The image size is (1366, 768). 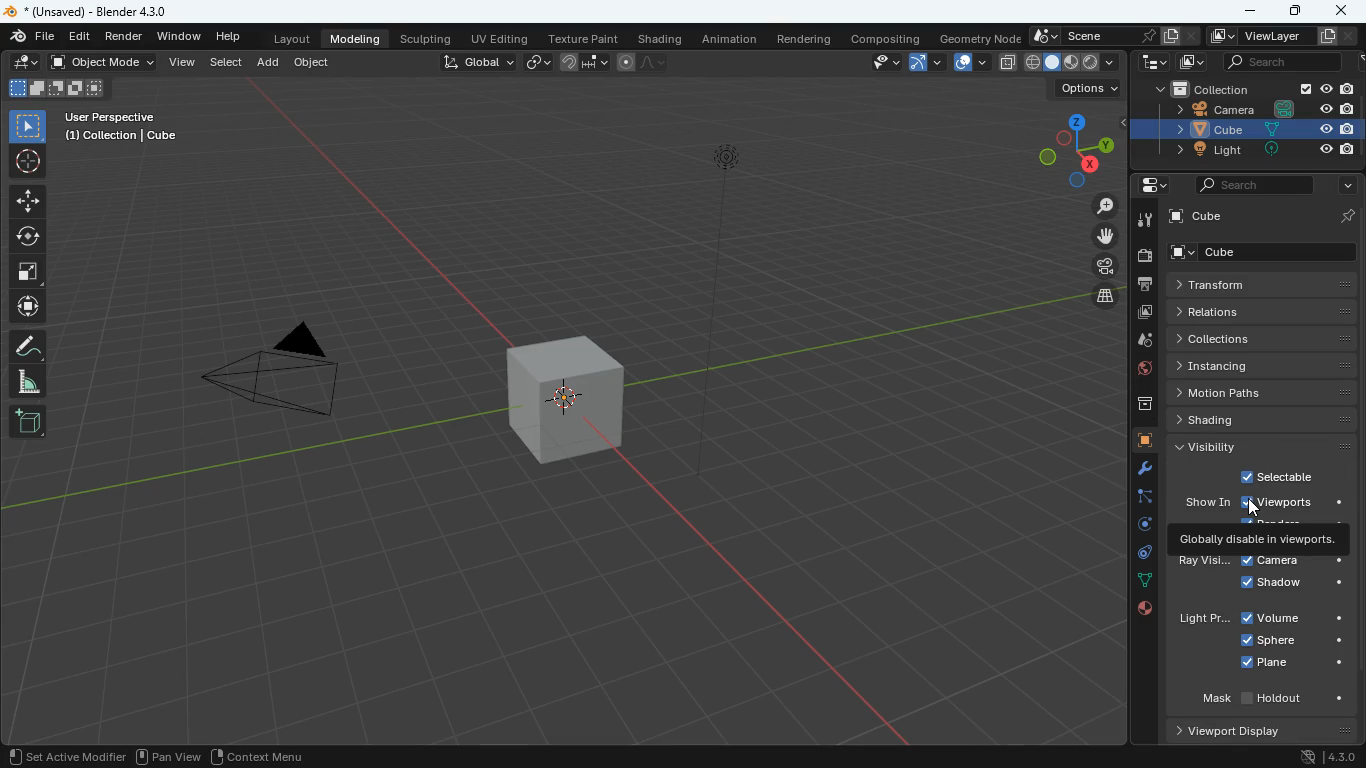 What do you see at coordinates (279, 377) in the screenshot?
I see `camera` at bounding box center [279, 377].